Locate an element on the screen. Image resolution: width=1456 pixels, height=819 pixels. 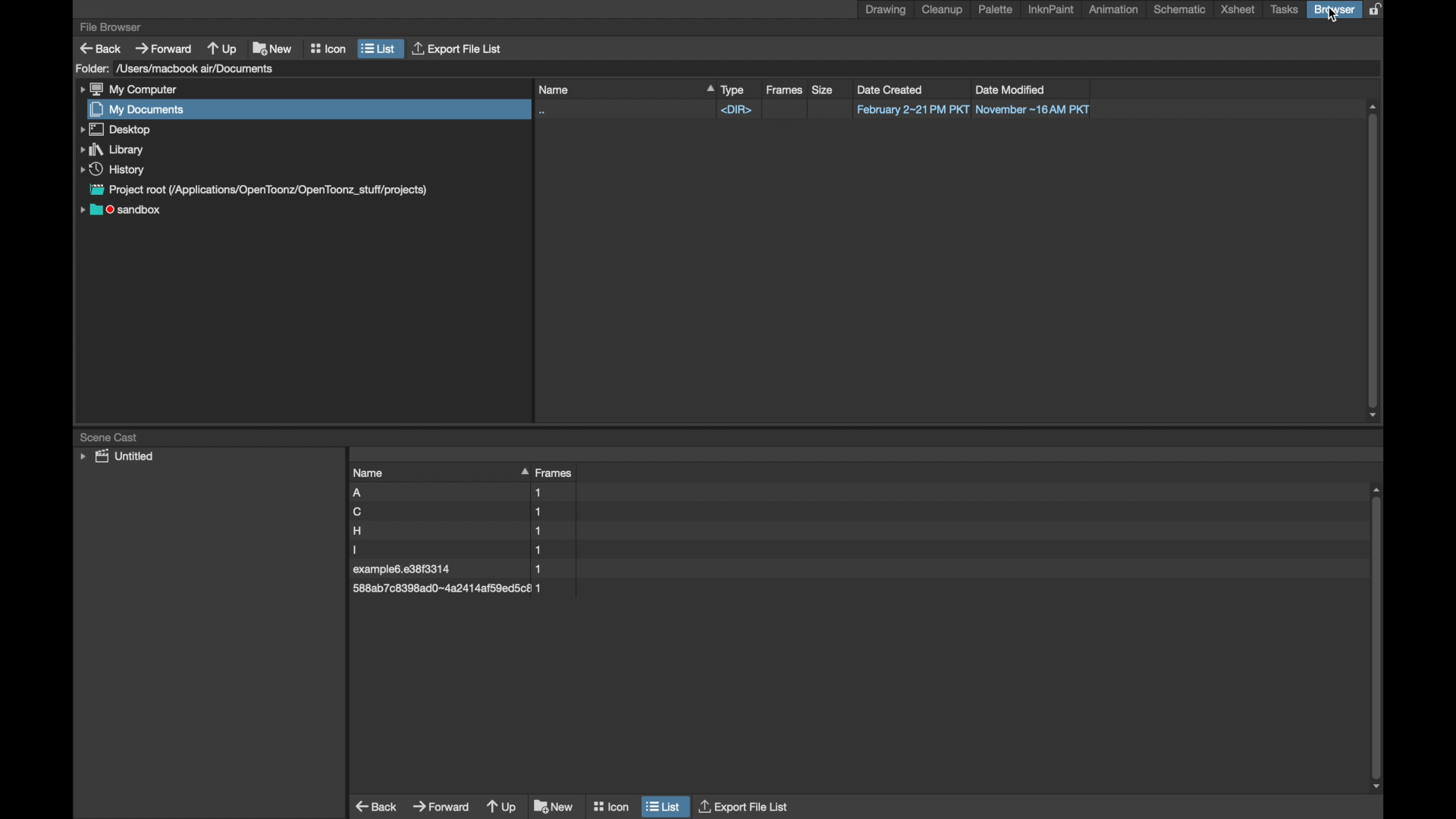
1 is located at coordinates (552, 510).